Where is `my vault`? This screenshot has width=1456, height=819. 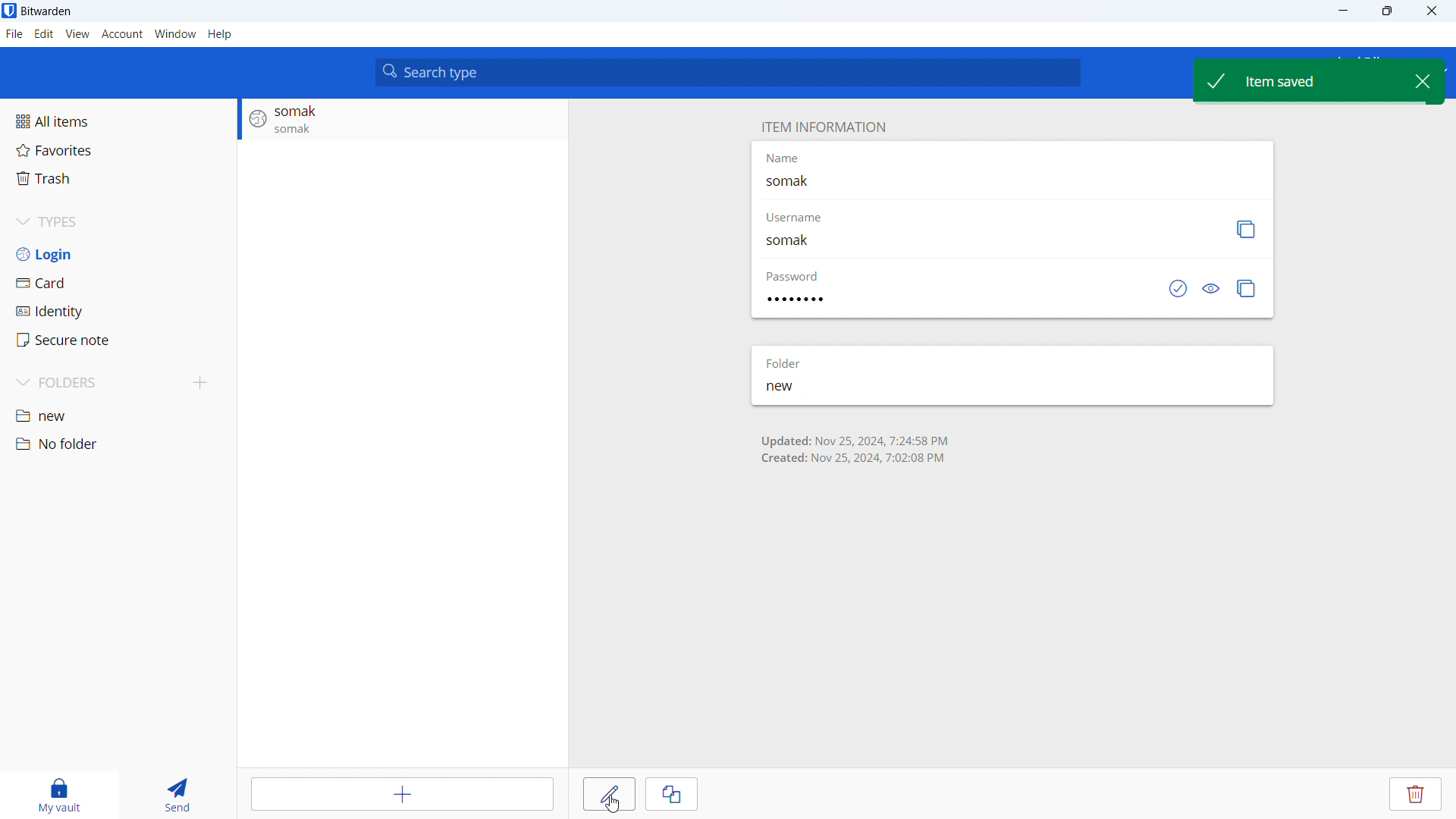
my vault is located at coordinates (60, 795).